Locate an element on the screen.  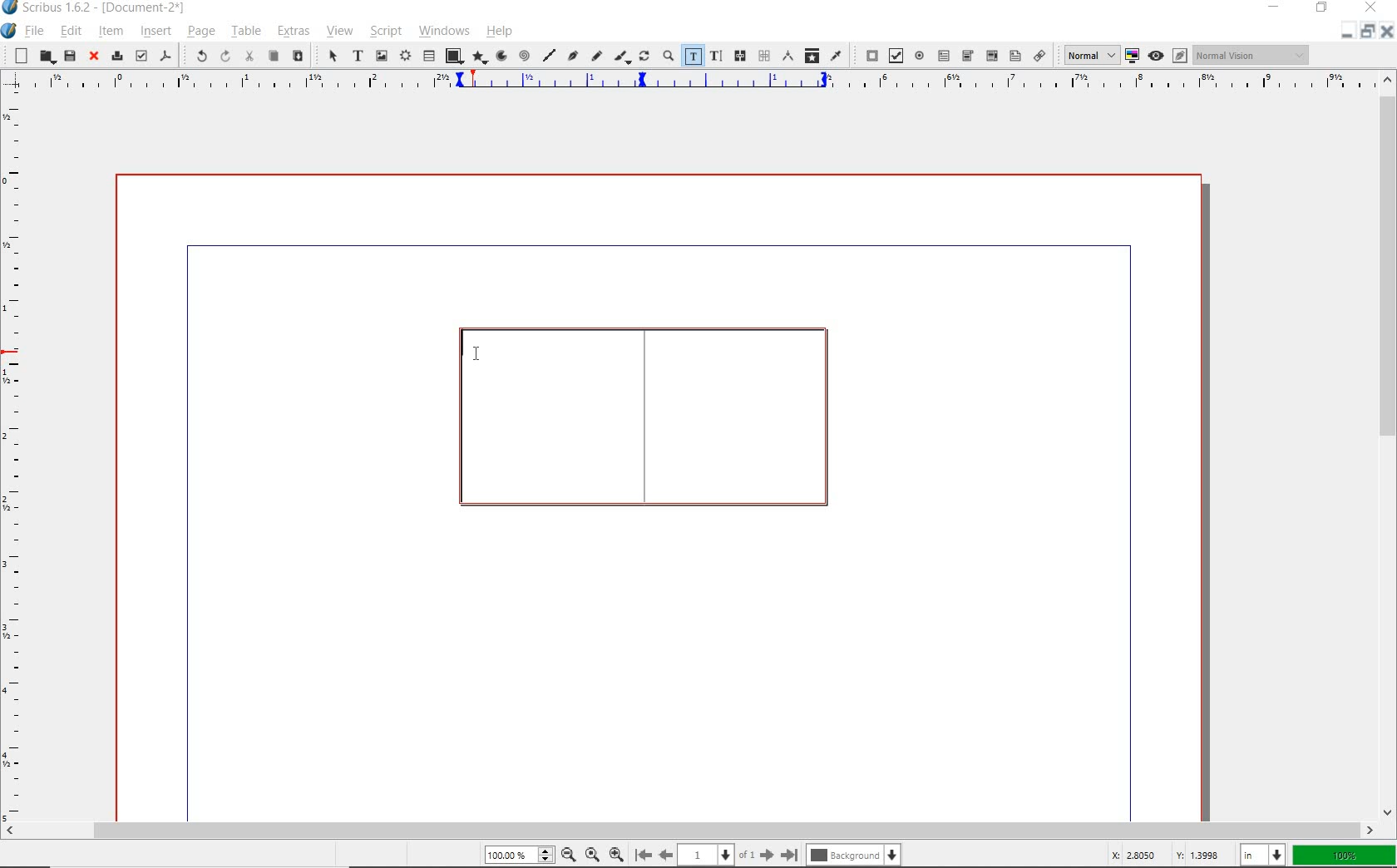
table is located at coordinates (429, 55).